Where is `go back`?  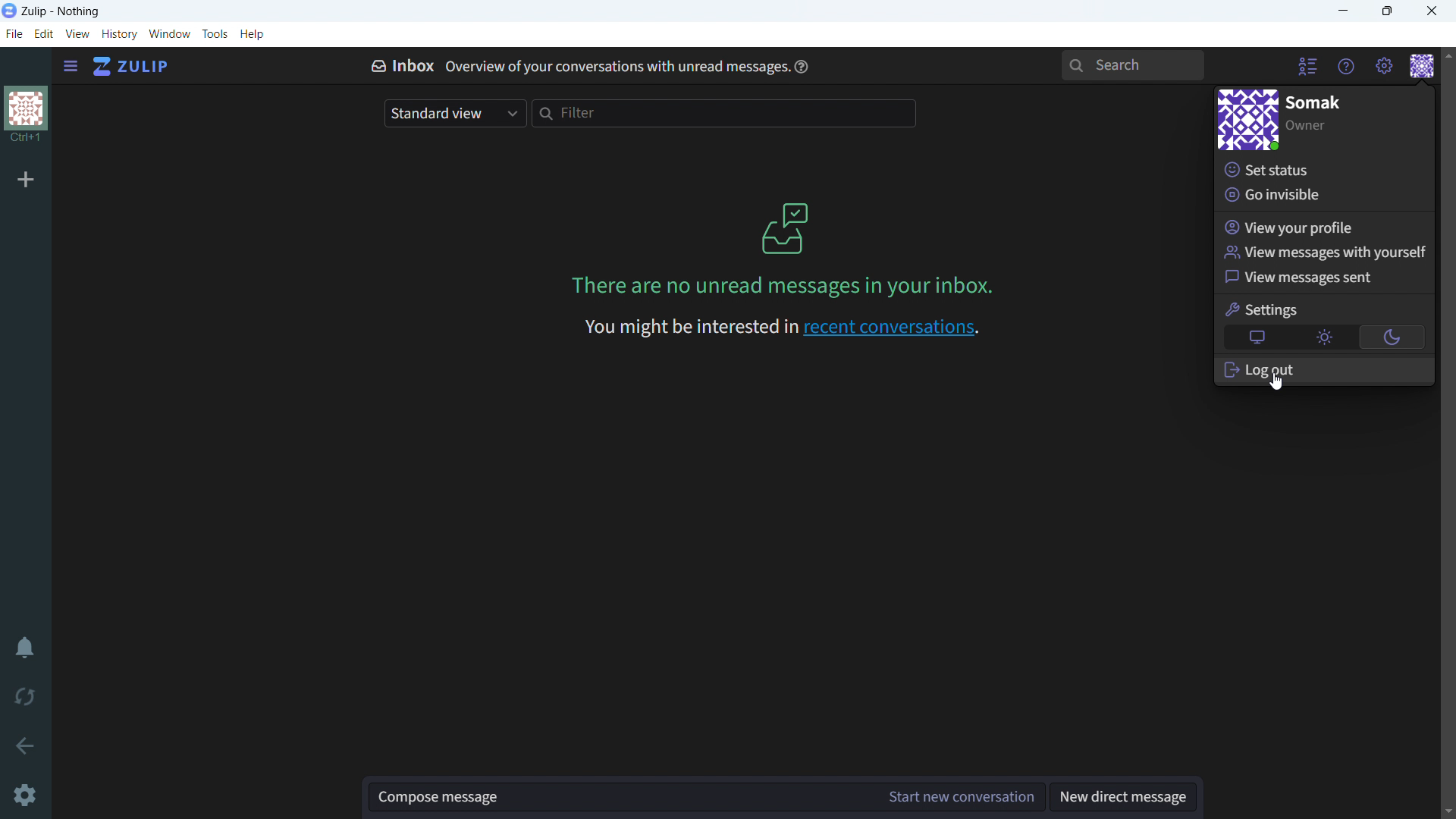
go back is located at coordinates (25, 746).